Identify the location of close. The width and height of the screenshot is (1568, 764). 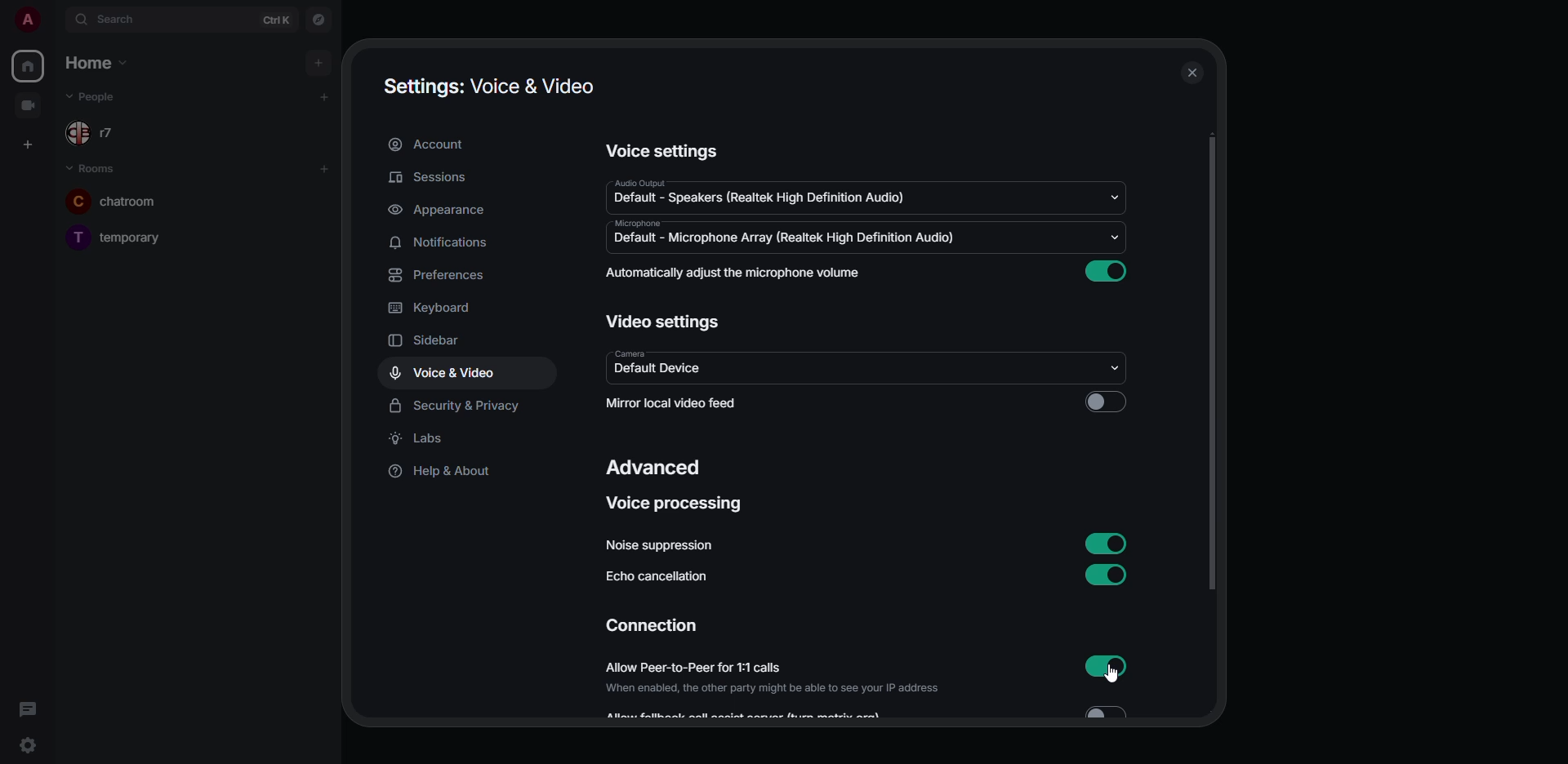
(1191, 73).